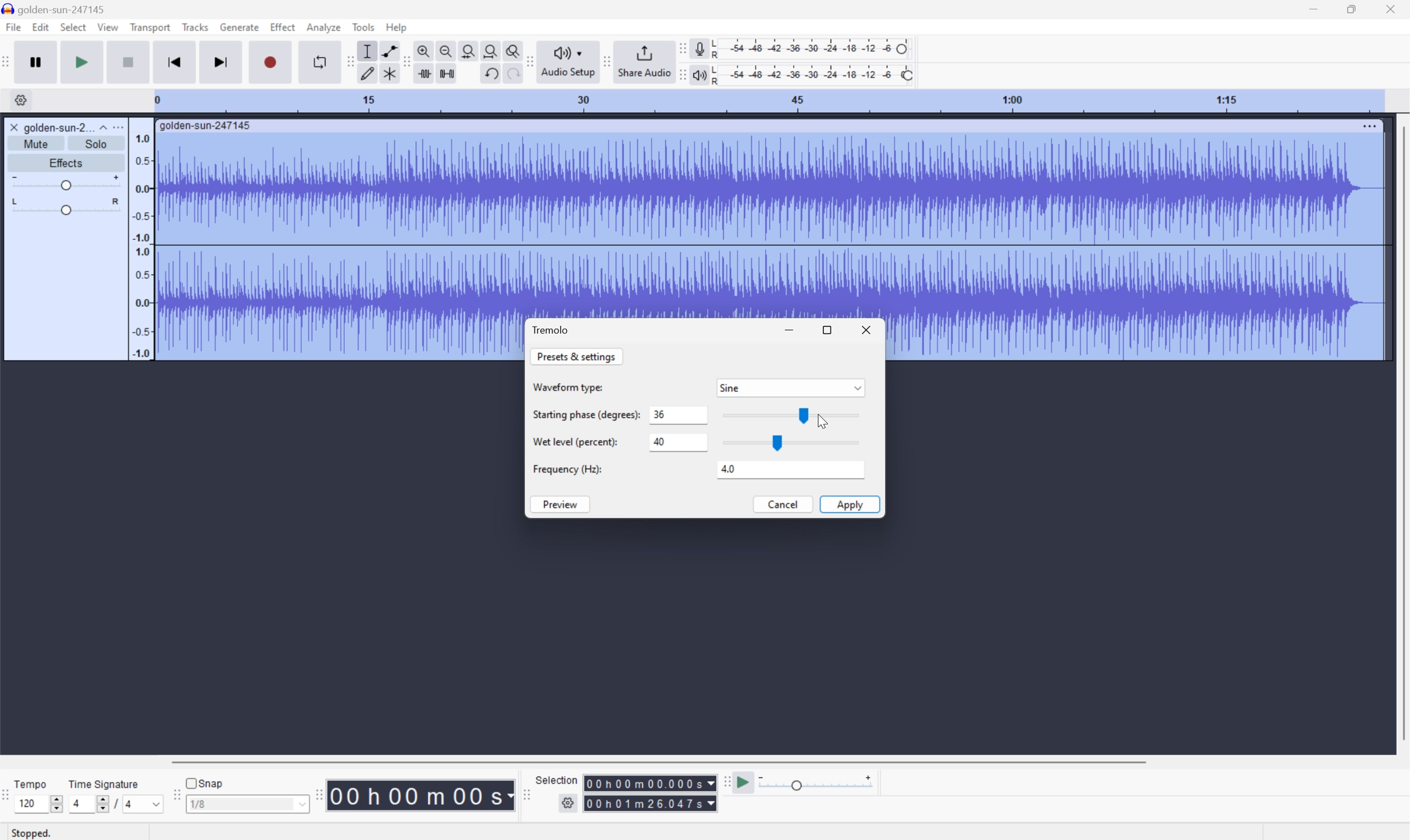 The image size is (1410, 840). What do you see at coordinates (649, 783) in the screenshot?
I see `Selection` at bounding box center [649, 783].